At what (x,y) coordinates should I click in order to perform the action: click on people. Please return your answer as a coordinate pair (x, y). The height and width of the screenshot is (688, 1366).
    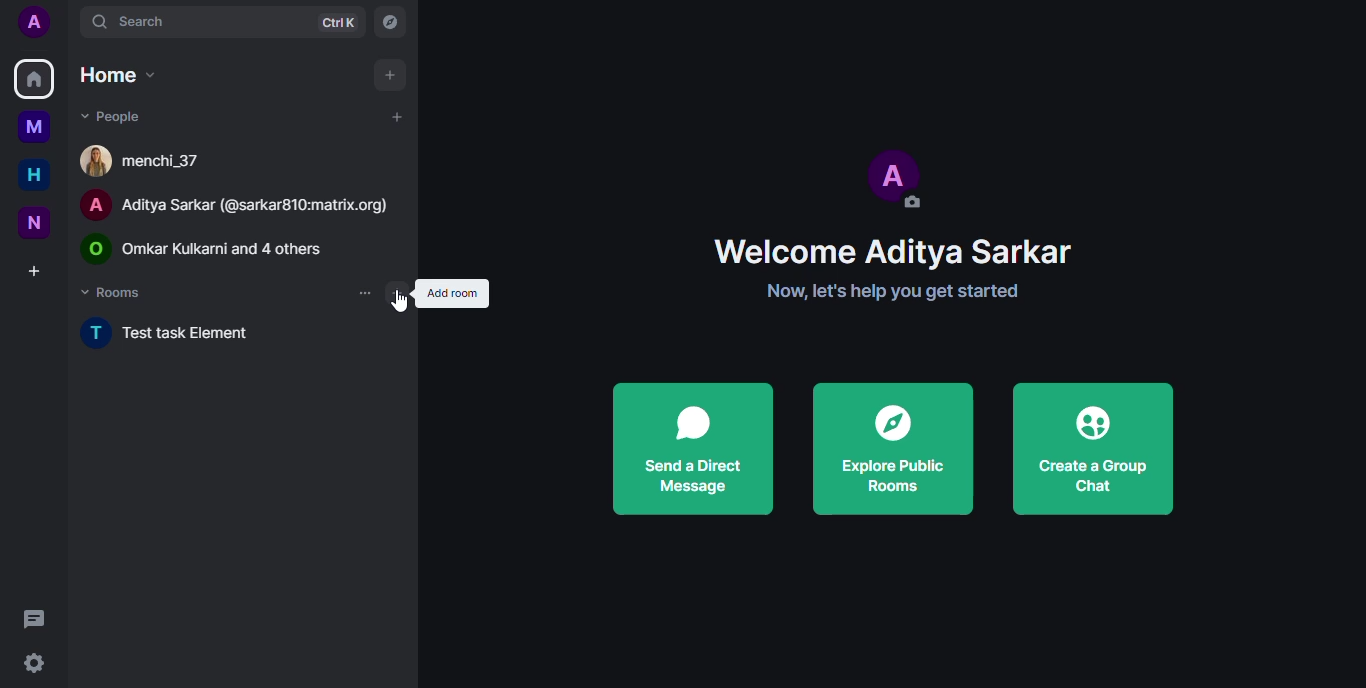
    Looking at the image, I should click on (110, 115).